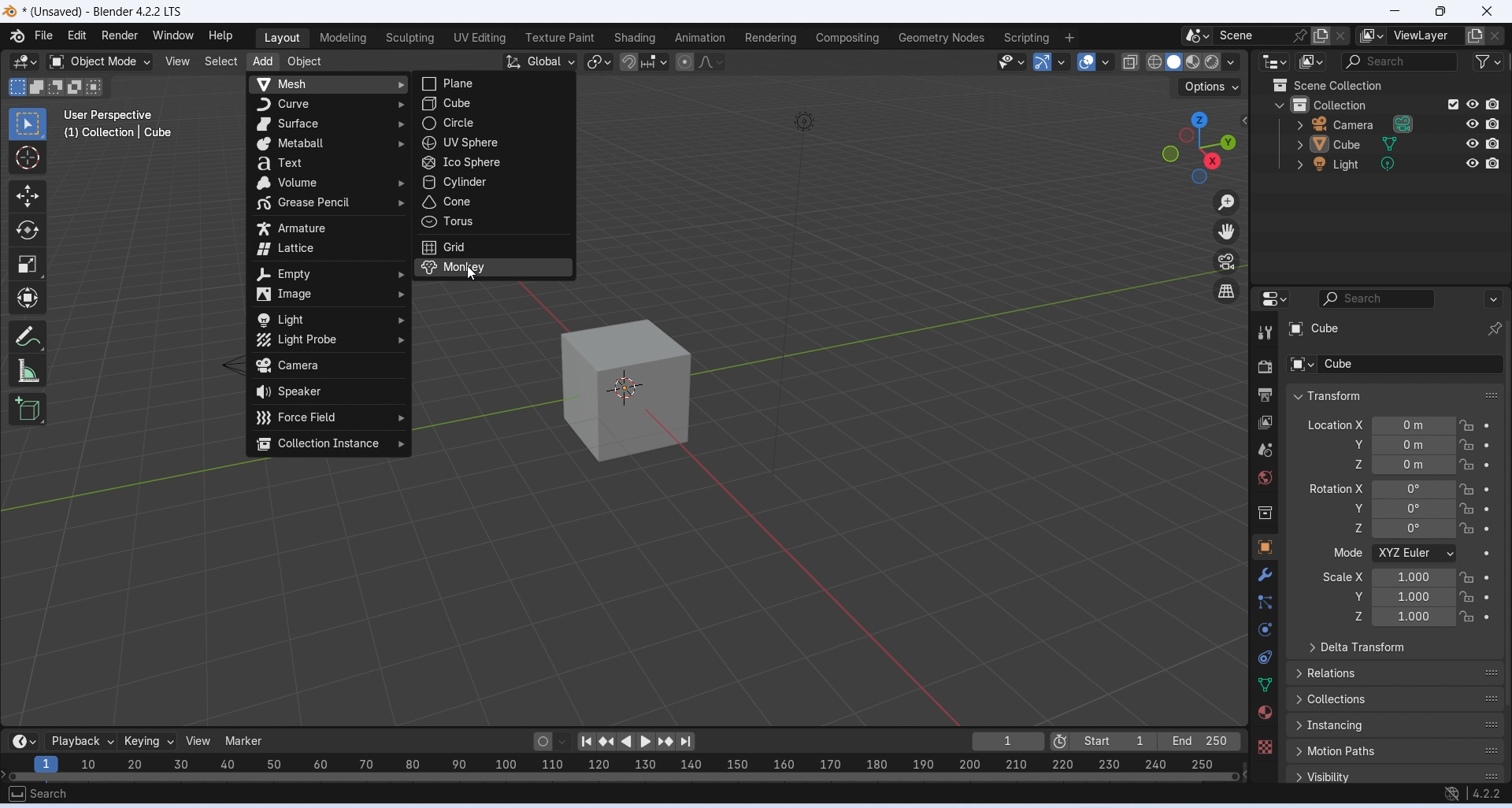  What do you see at coordinates (1266, 514) in the screenshot?
I see `collection` at bounding box center [1266, 514].